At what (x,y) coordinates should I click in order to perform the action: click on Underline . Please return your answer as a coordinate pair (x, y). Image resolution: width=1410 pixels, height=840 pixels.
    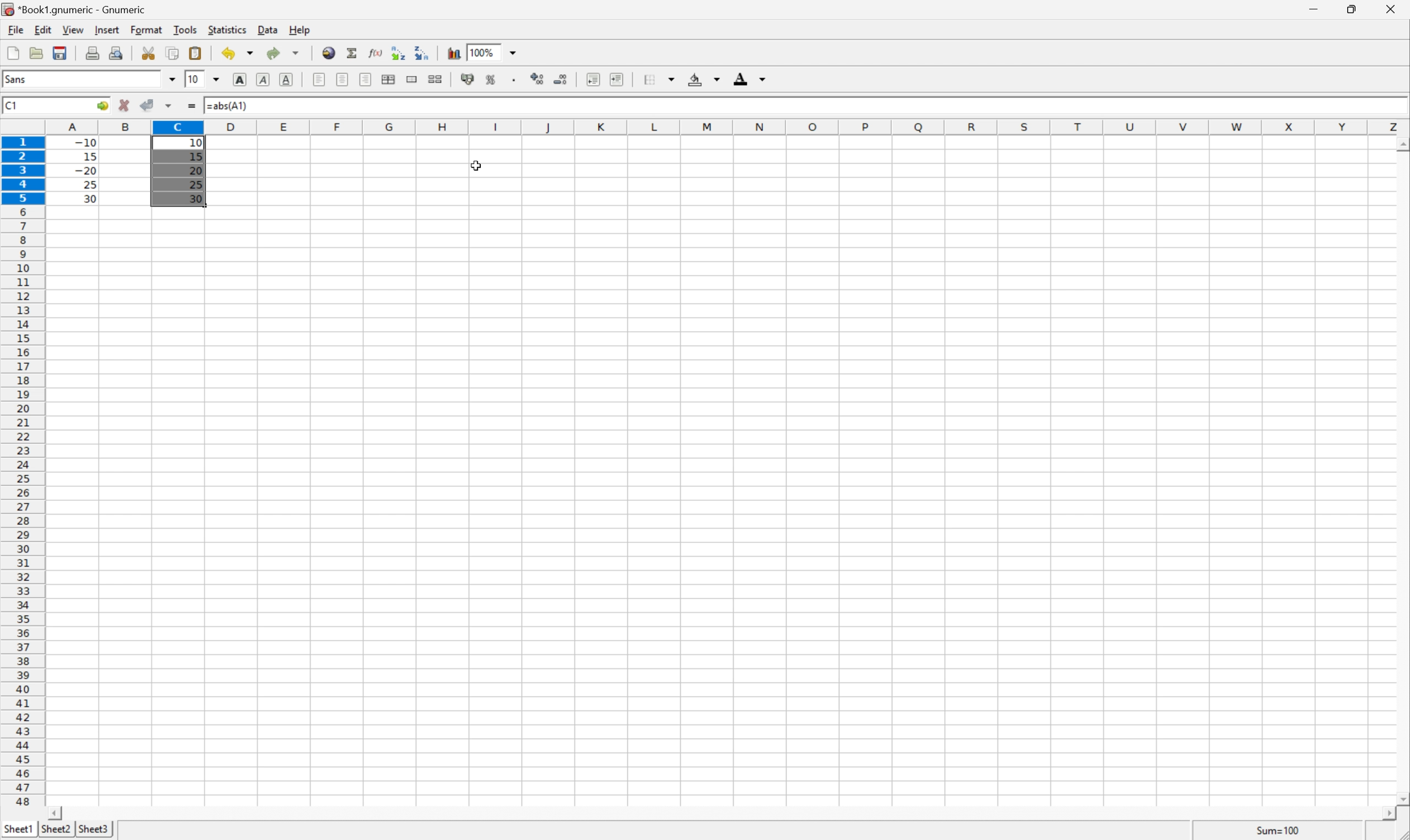
    Looking at the image, I should click on (262, 80).